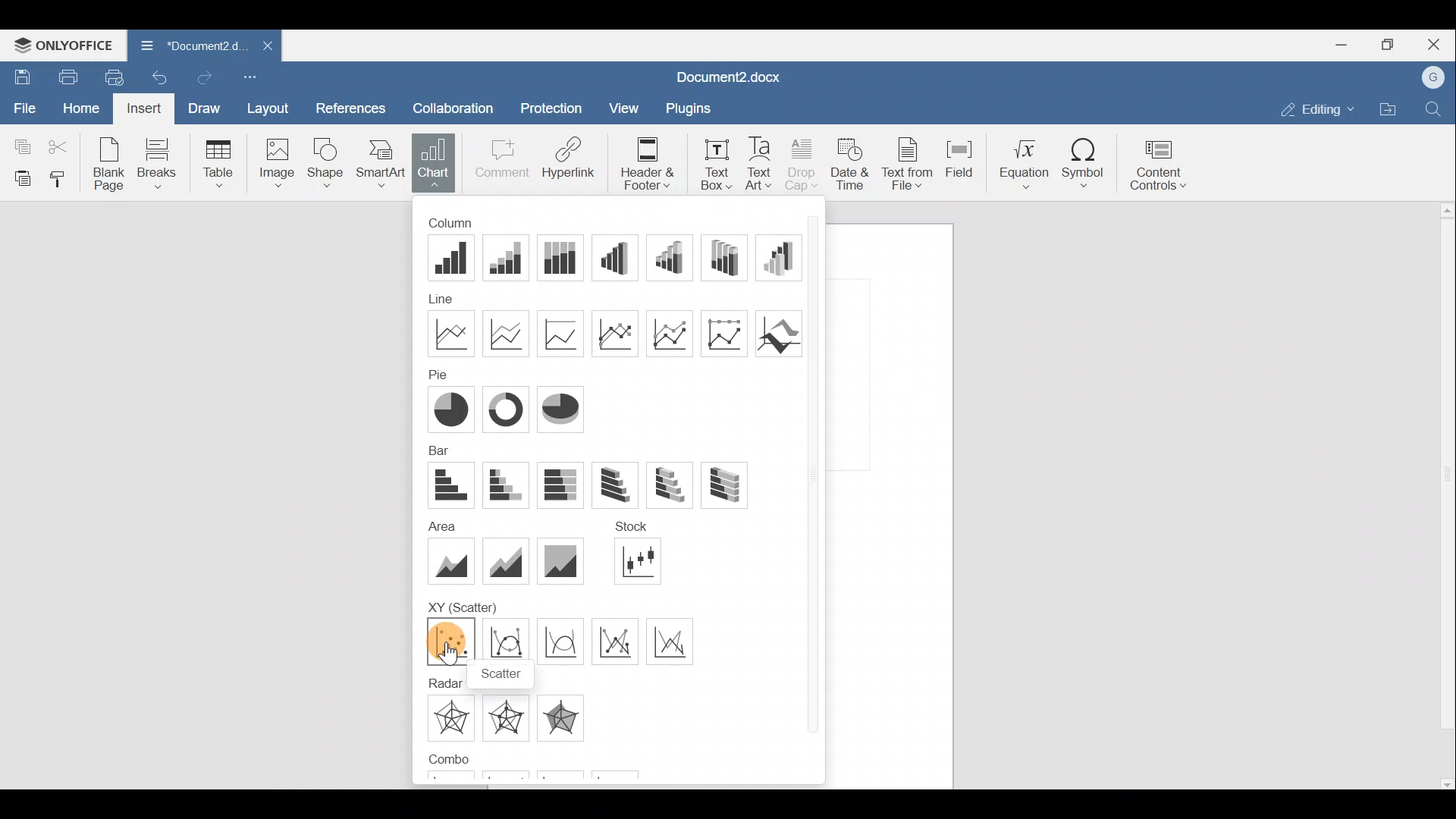 This screenshot has width=1456, height=819. What do you see at coordinates (687, 106) in the screenshot?
I see `Plugins` at bounding box center [687, 106].